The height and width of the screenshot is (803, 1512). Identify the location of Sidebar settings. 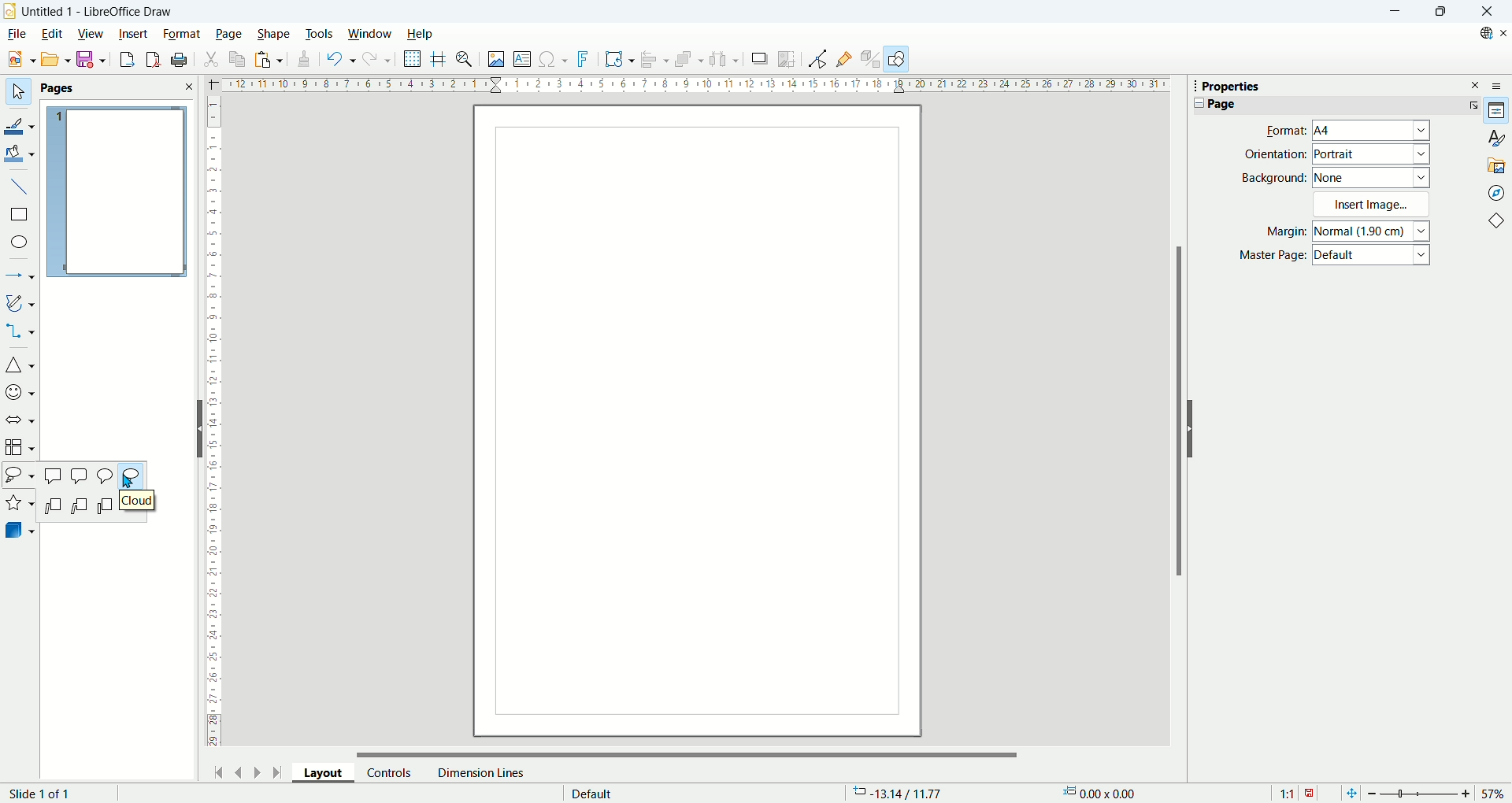
(1501, 85).